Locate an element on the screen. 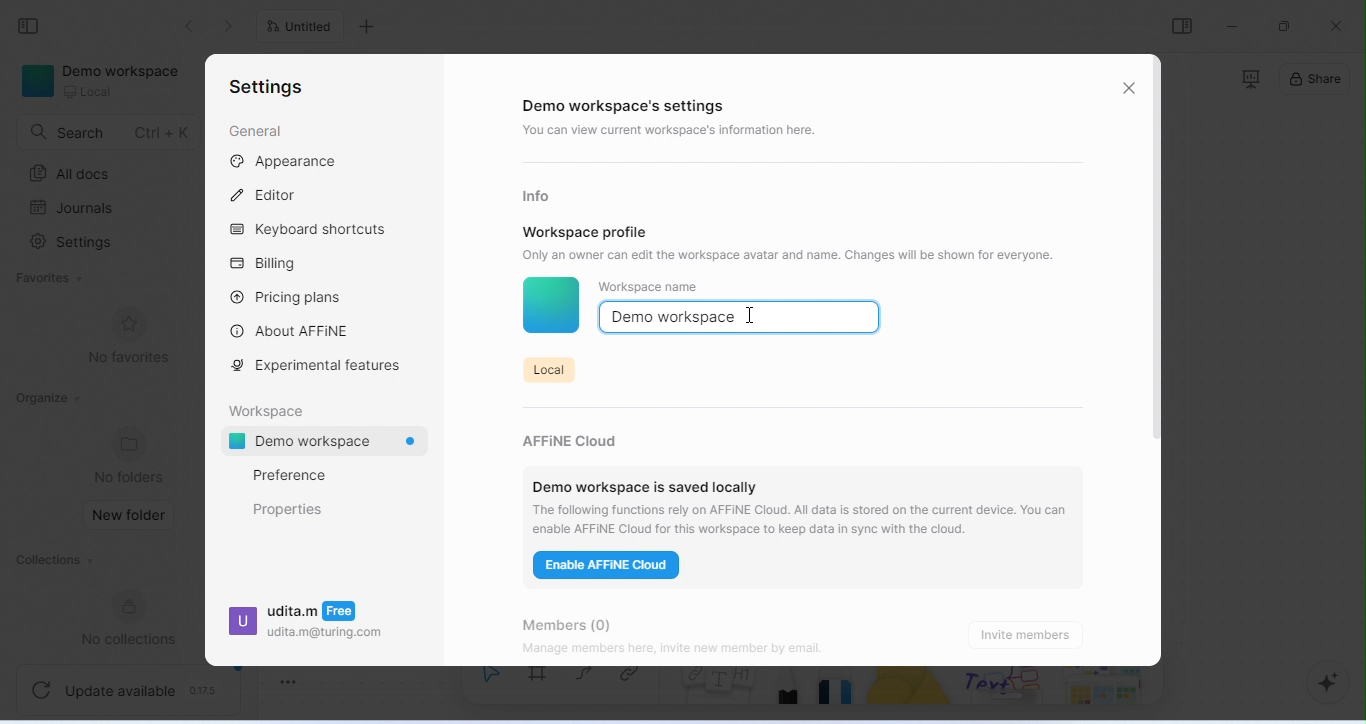 Image resolution: width=1366 pixels, height=724 pixels. enable affine cloud is located at coordinates (609, 568).